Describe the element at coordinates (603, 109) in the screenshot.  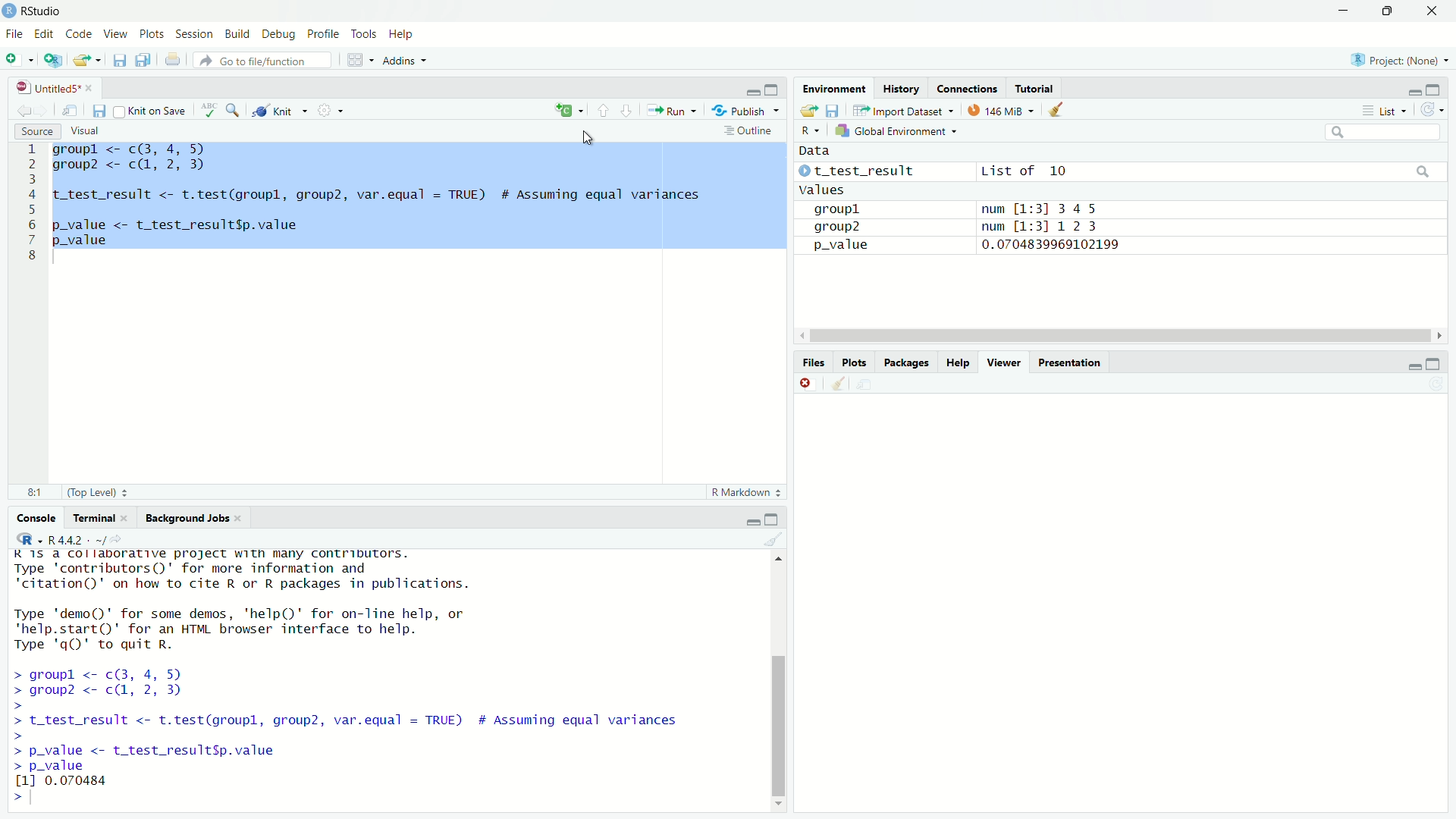
I see `go to previous section` at that location.